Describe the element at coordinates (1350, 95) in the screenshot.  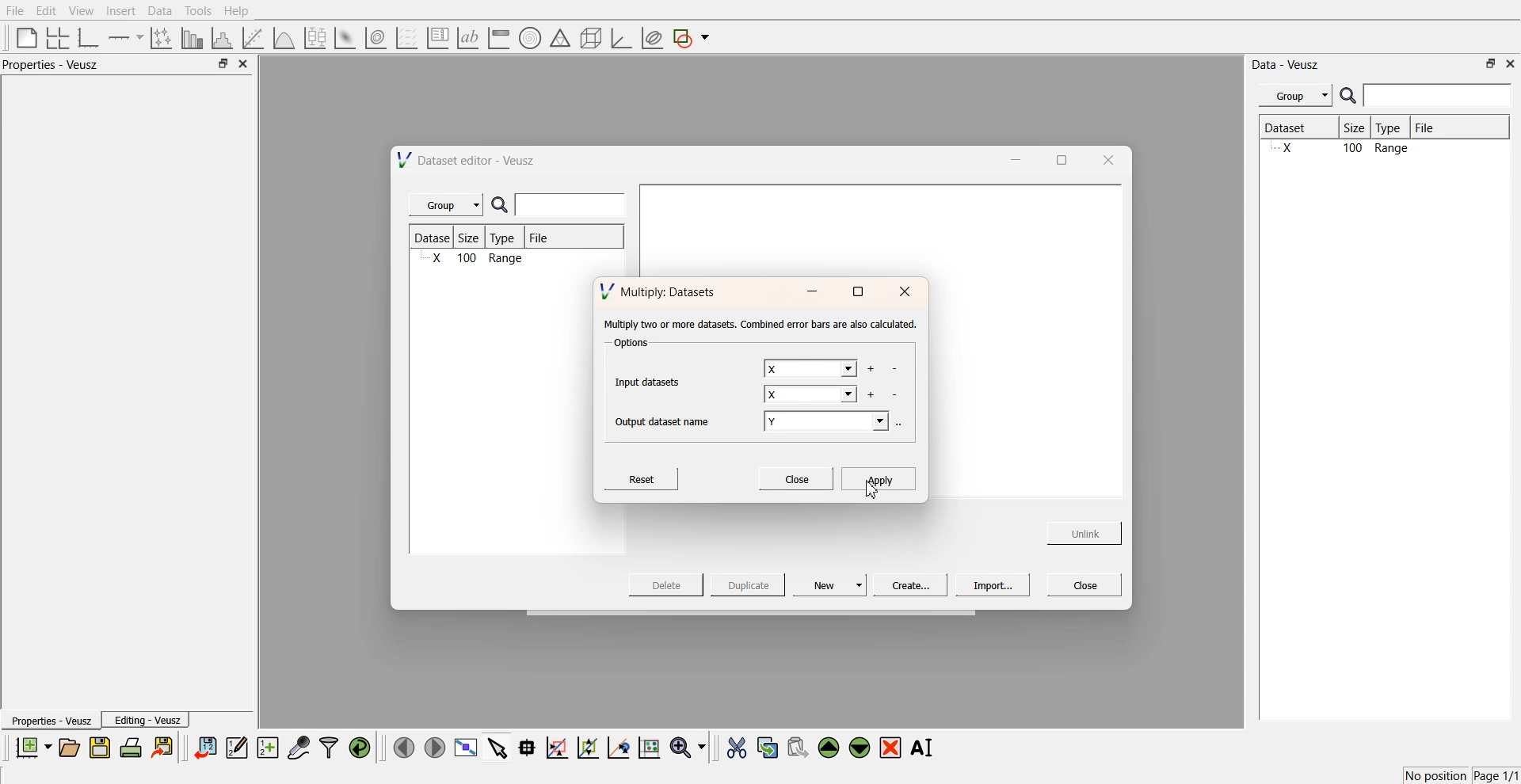
I see `search icon` at that location.